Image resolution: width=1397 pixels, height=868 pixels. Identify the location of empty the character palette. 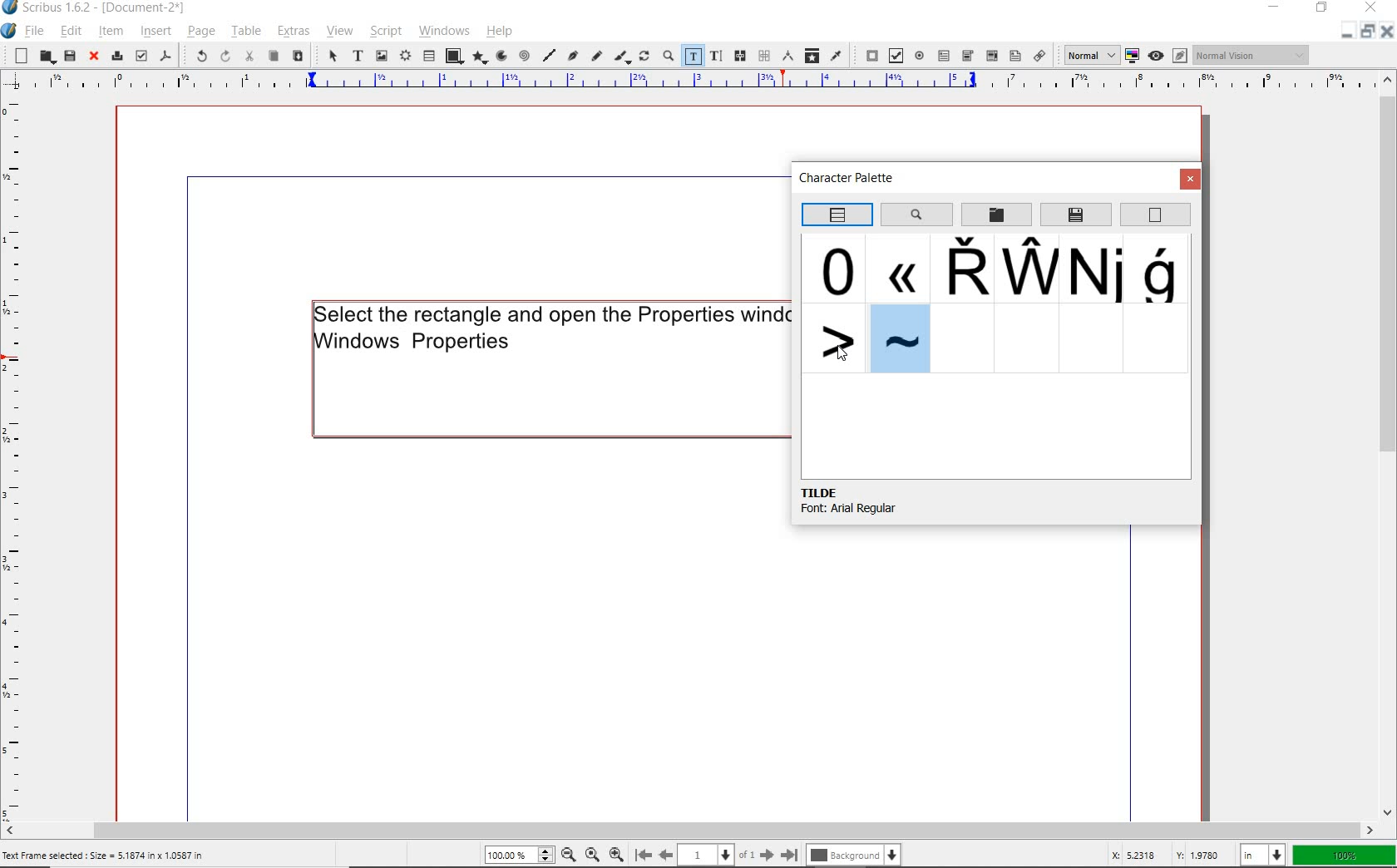
(1156, 215).